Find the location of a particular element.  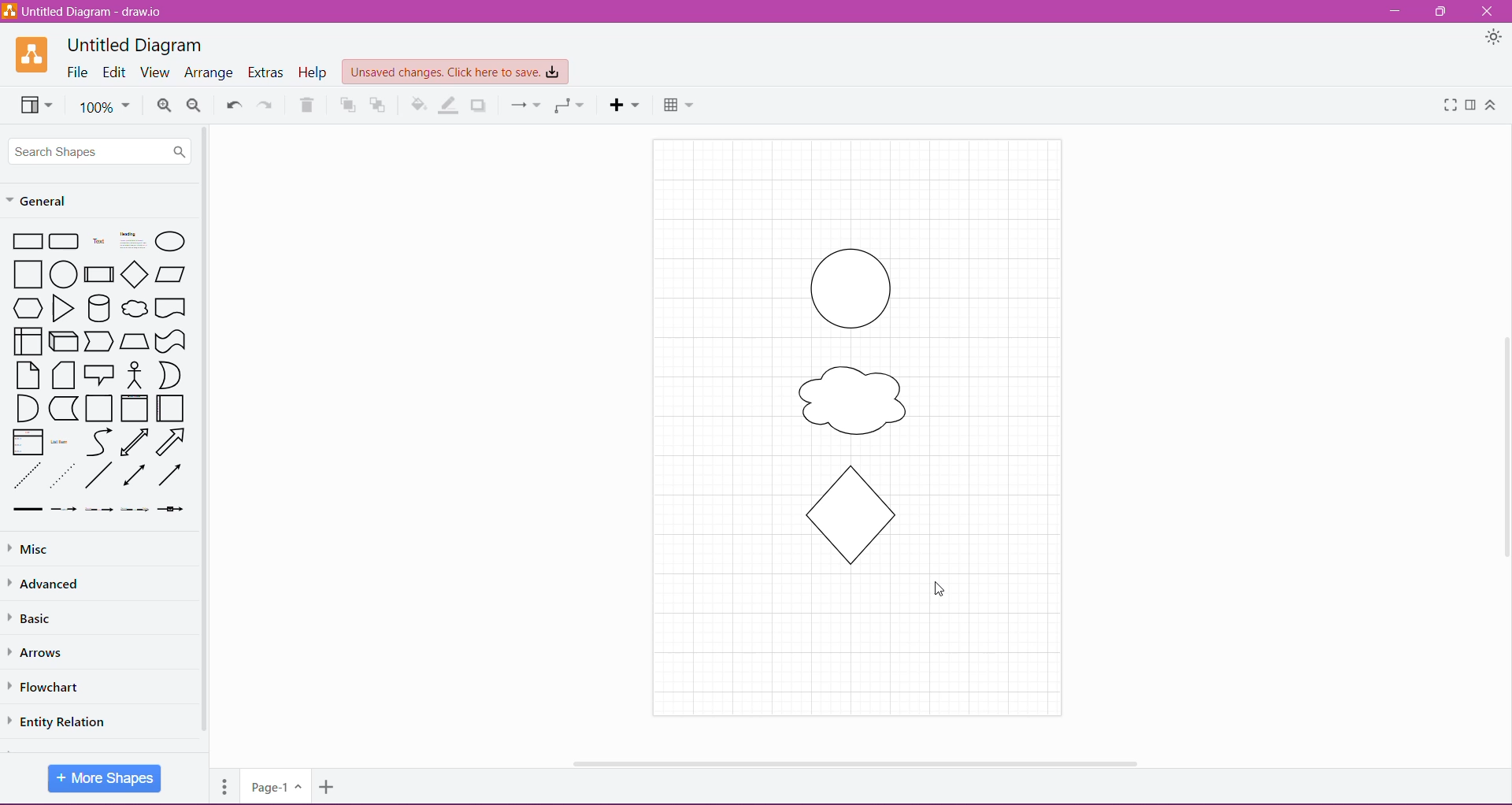

Redo is located at coordinates (265, 104).